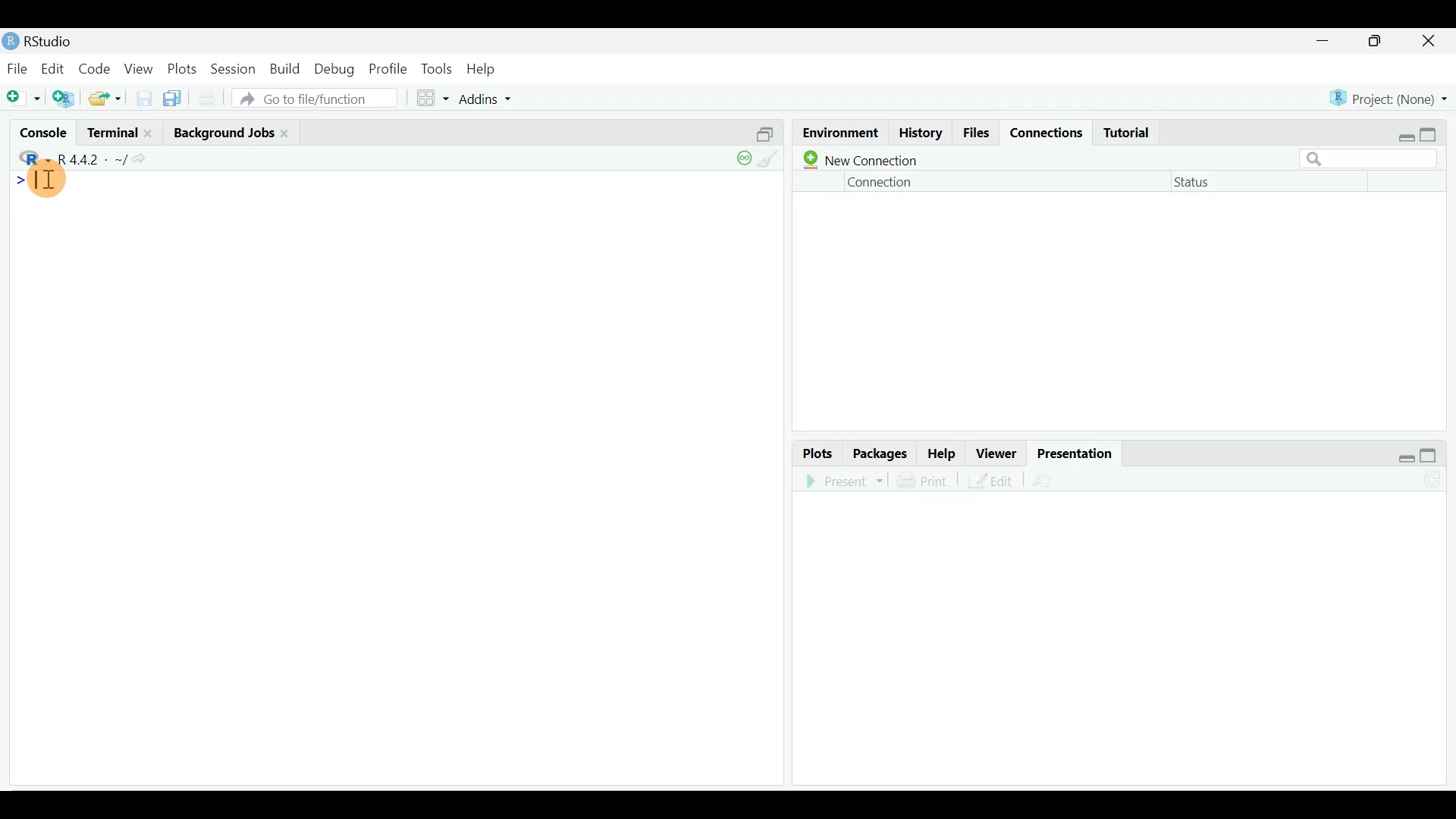 The image size is (1456, 819). What do you see at coordinates (140, 68) in the screenshot?
I see `View` at bounding box center [140, 68].